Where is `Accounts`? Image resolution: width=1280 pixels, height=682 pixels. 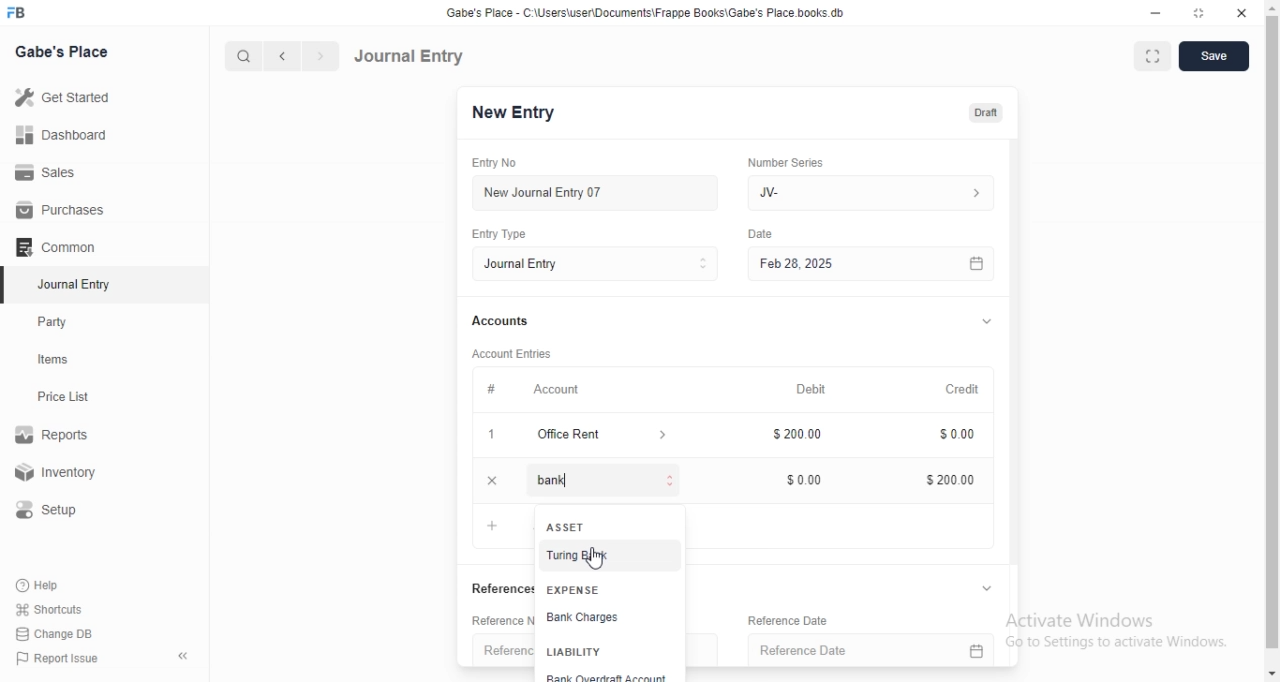 Accounts is located at coordinates (506, 321).